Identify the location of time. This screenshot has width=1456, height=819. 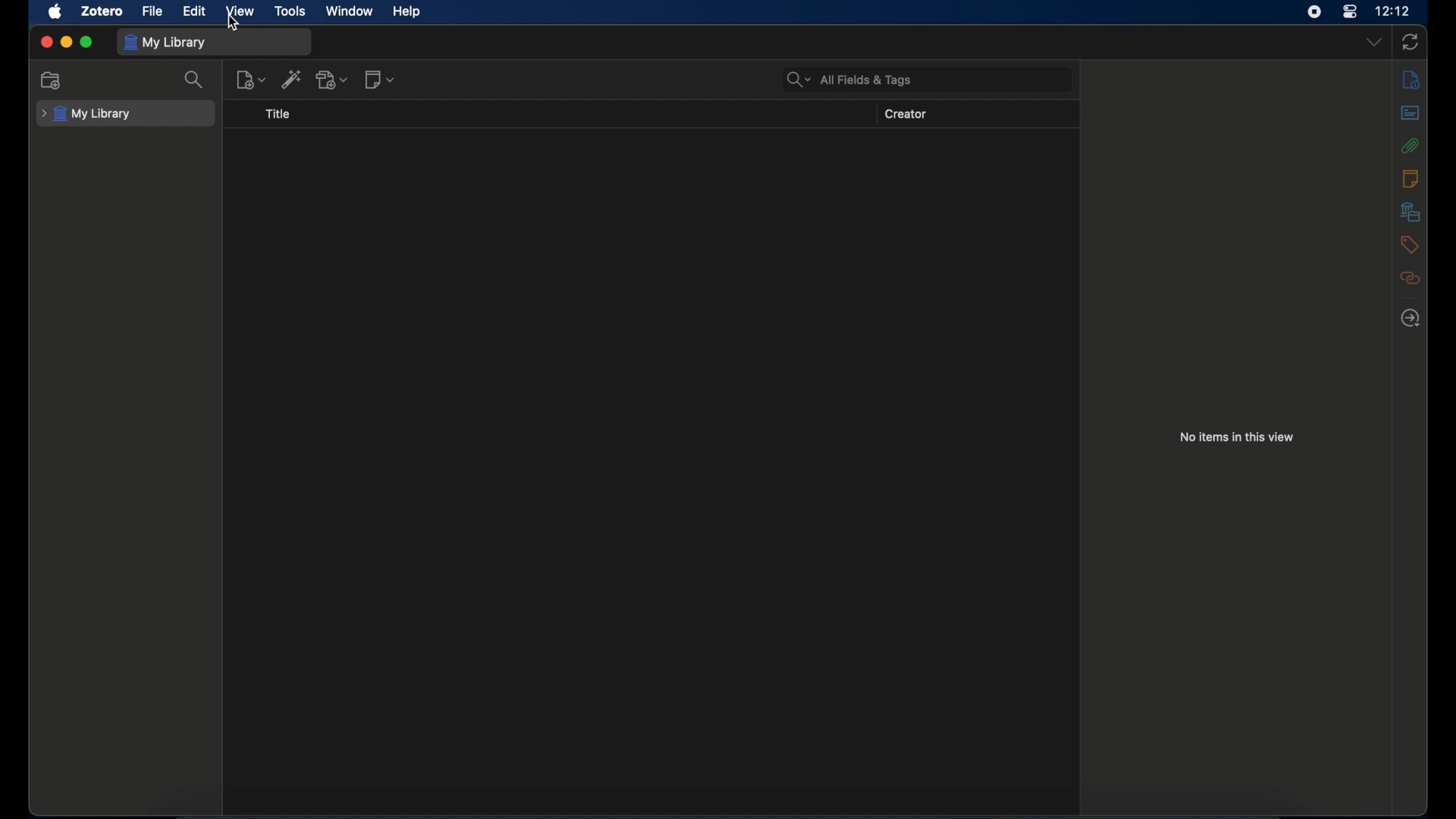
(1393, 10).